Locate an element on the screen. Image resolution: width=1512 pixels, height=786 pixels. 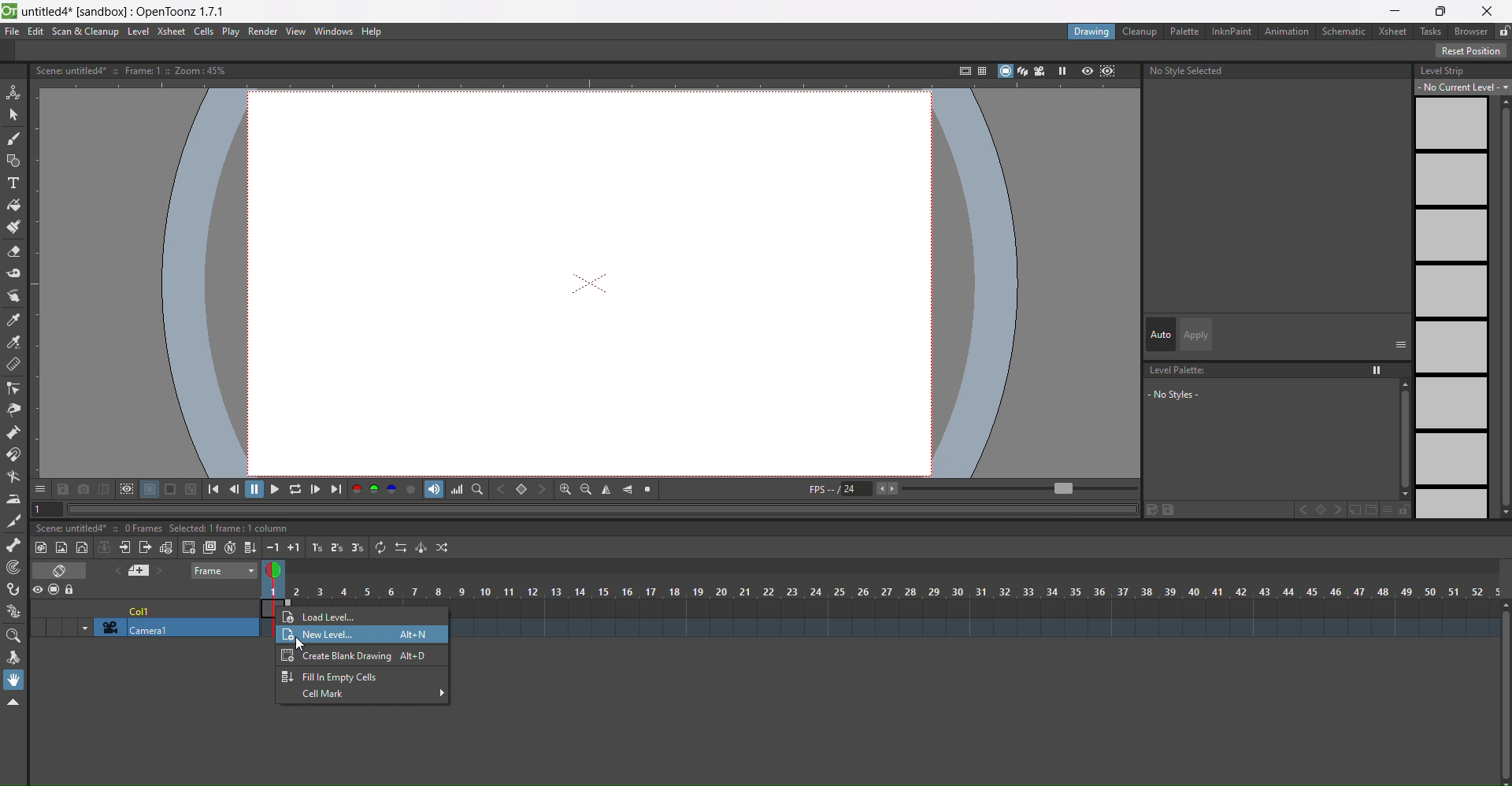
pump tool is located at coordinates (12, 432).